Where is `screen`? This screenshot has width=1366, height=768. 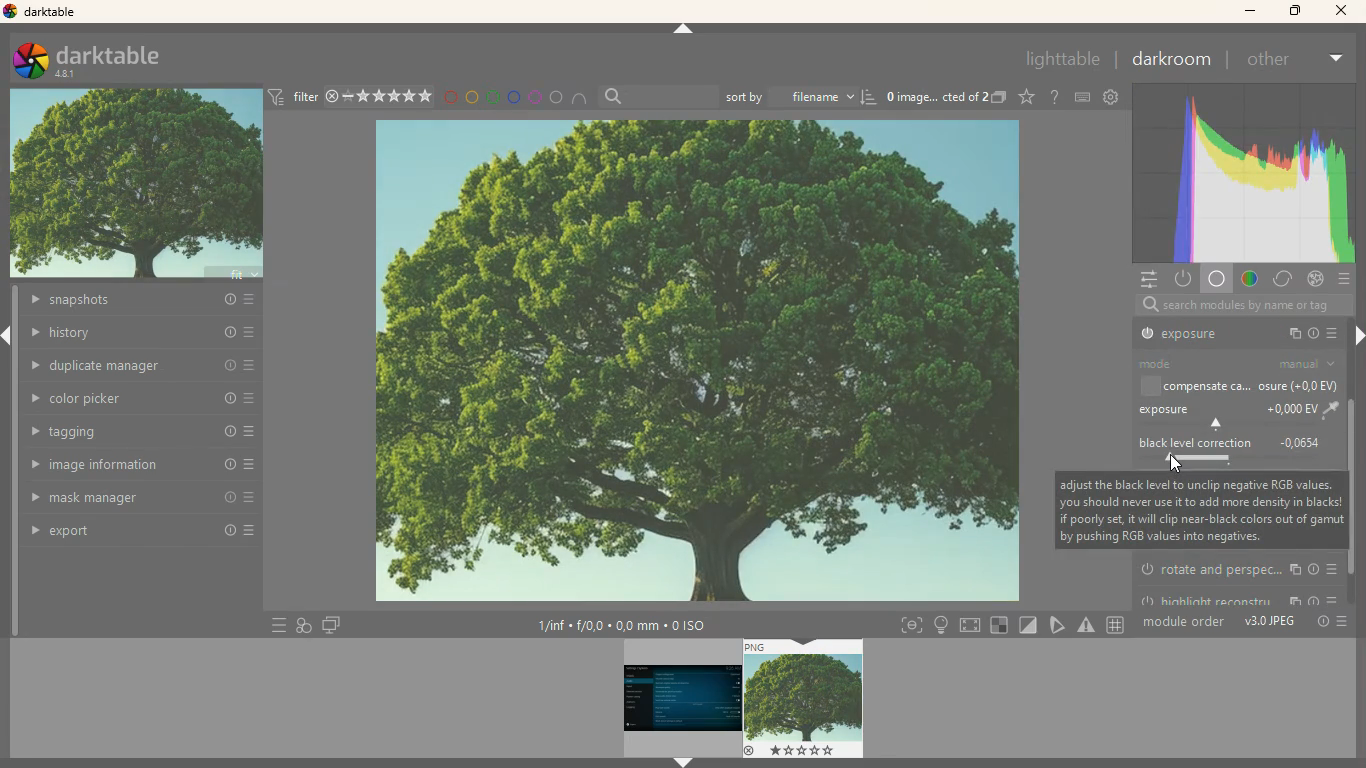
screen is located at coordinates (972, 626).